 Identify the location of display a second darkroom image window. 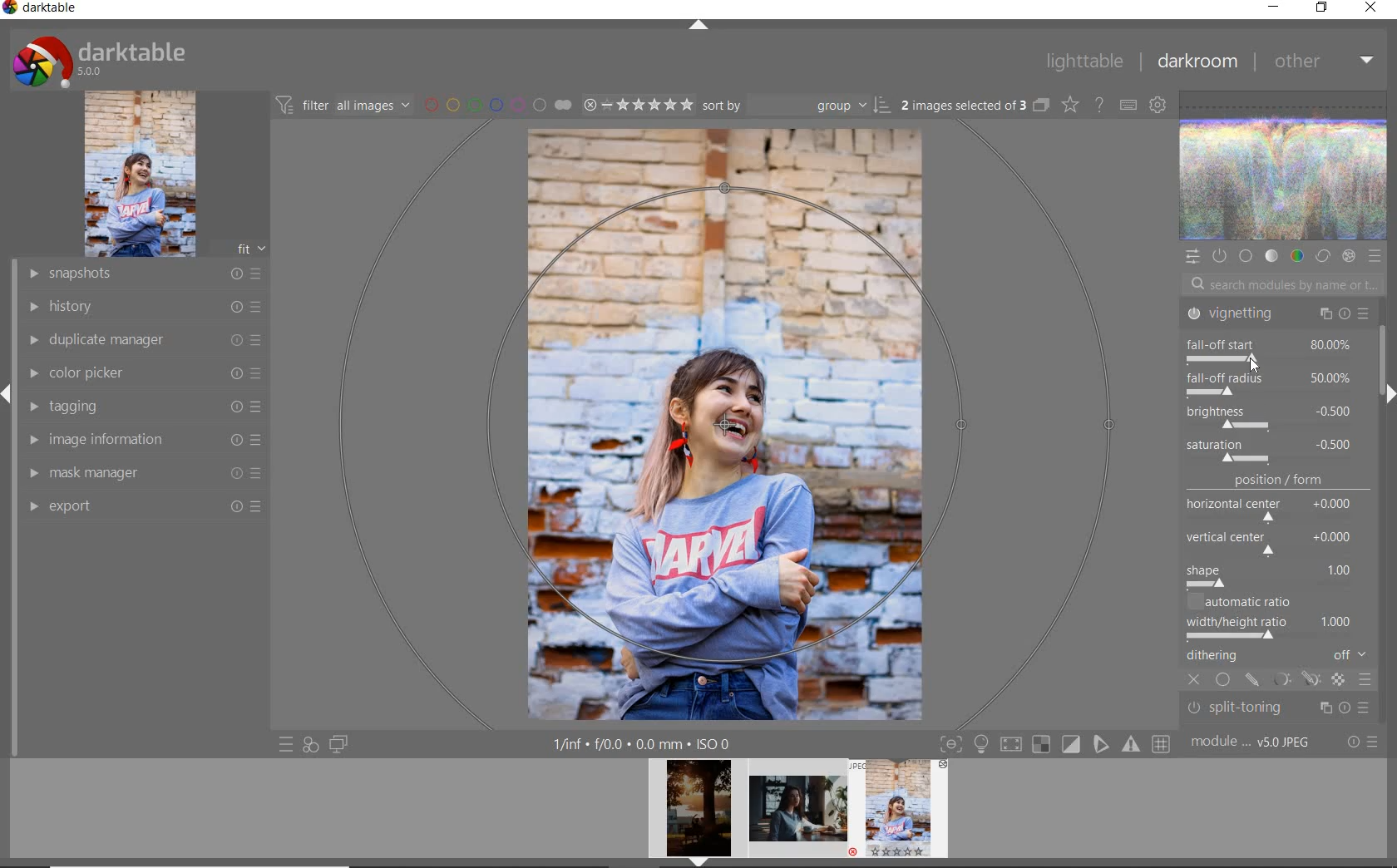
(339, 744).